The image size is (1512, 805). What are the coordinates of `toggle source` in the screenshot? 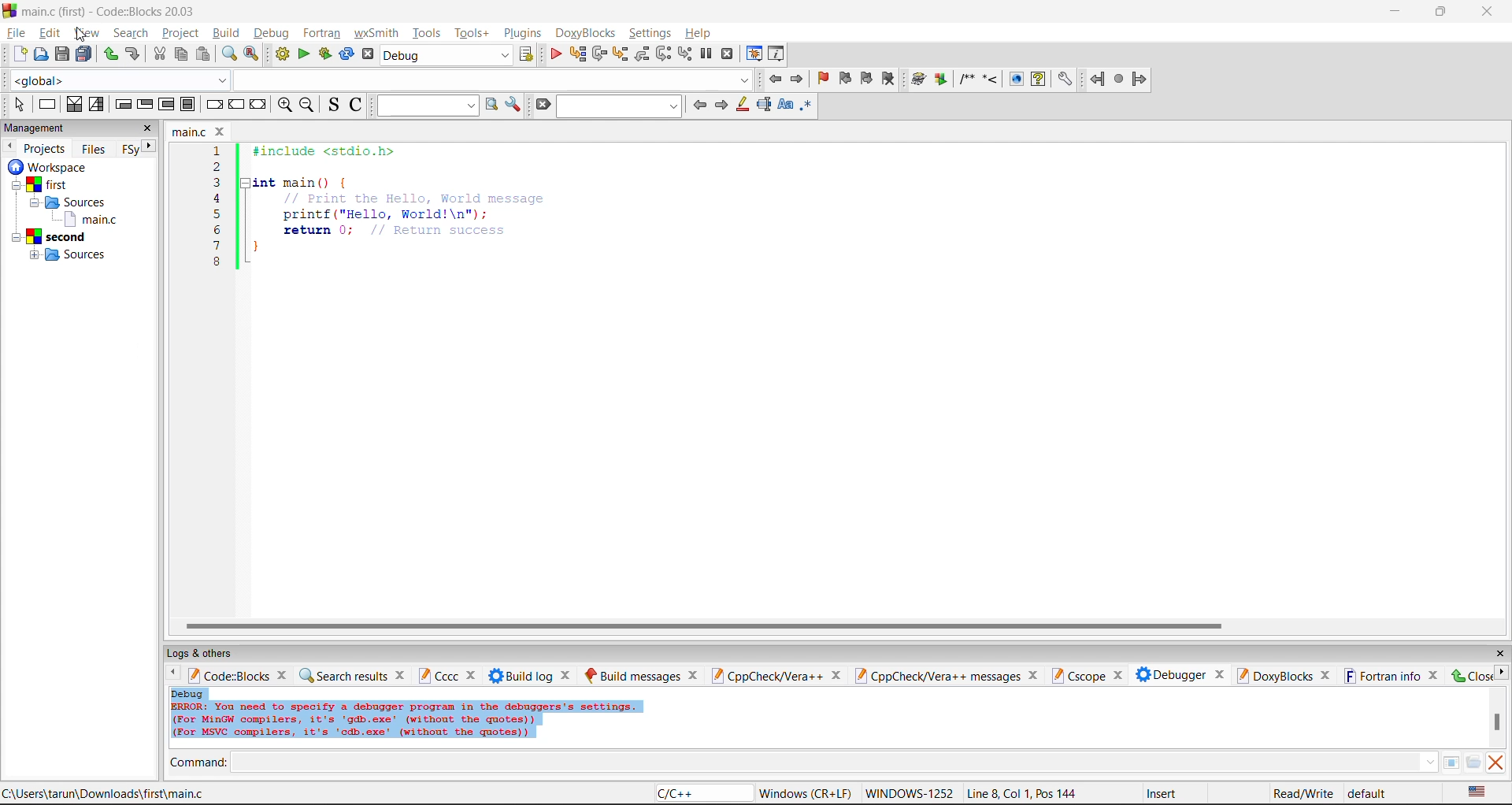 It's located at (333, 105).